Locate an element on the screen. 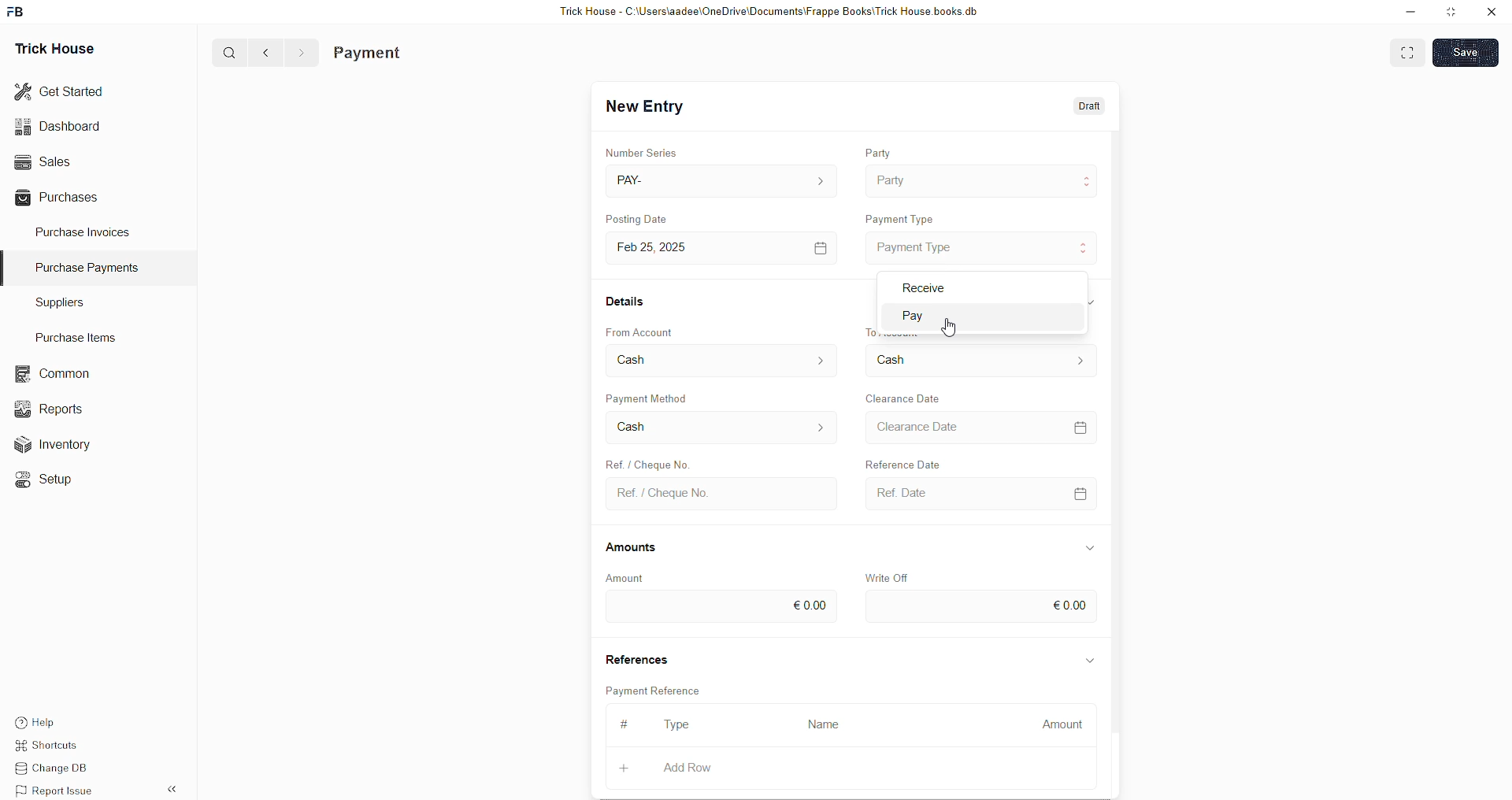  PAY- is located at coordinates (635, 179).